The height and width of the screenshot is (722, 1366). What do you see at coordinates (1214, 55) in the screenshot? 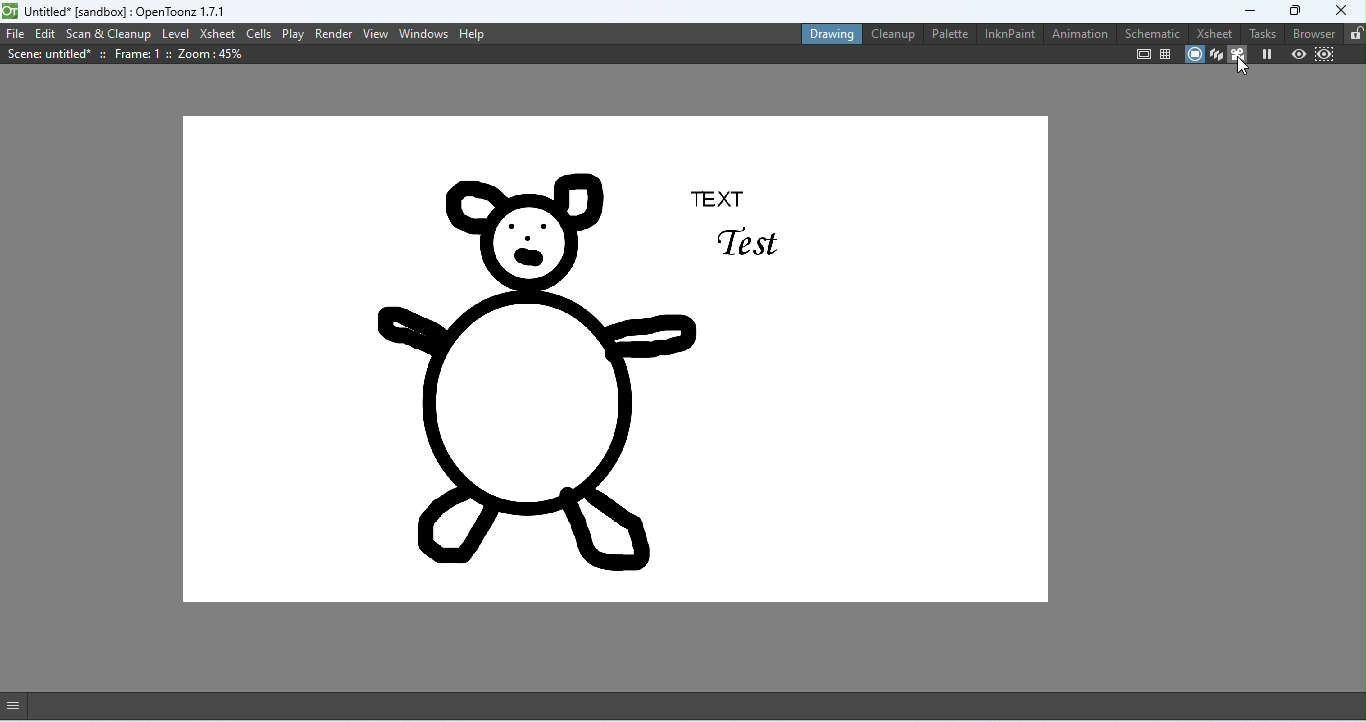
I see `3D view` at bounding box center [1214, 55].